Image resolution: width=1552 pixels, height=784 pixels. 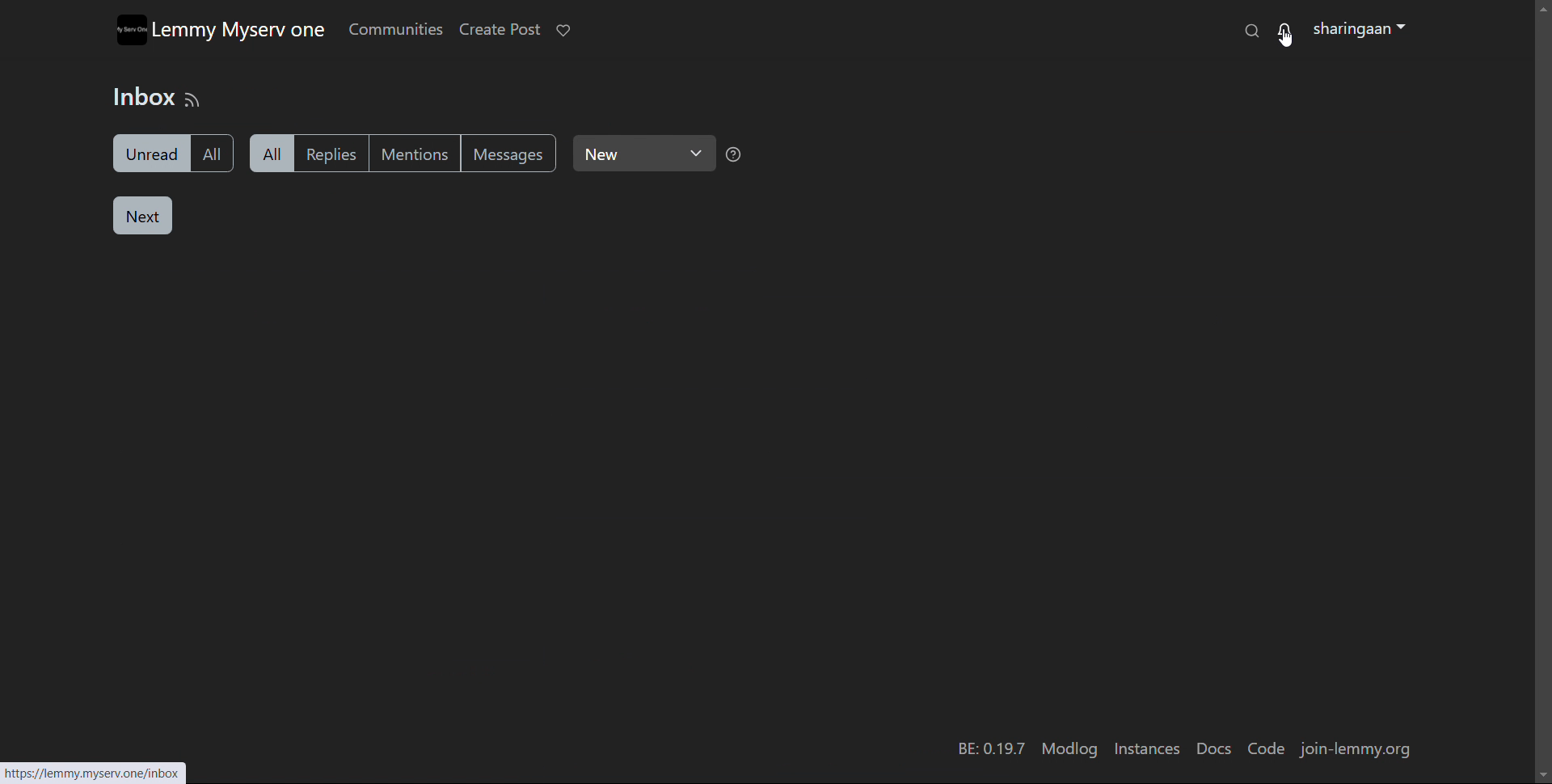 I want to click on all, so click(x=272, y=153).